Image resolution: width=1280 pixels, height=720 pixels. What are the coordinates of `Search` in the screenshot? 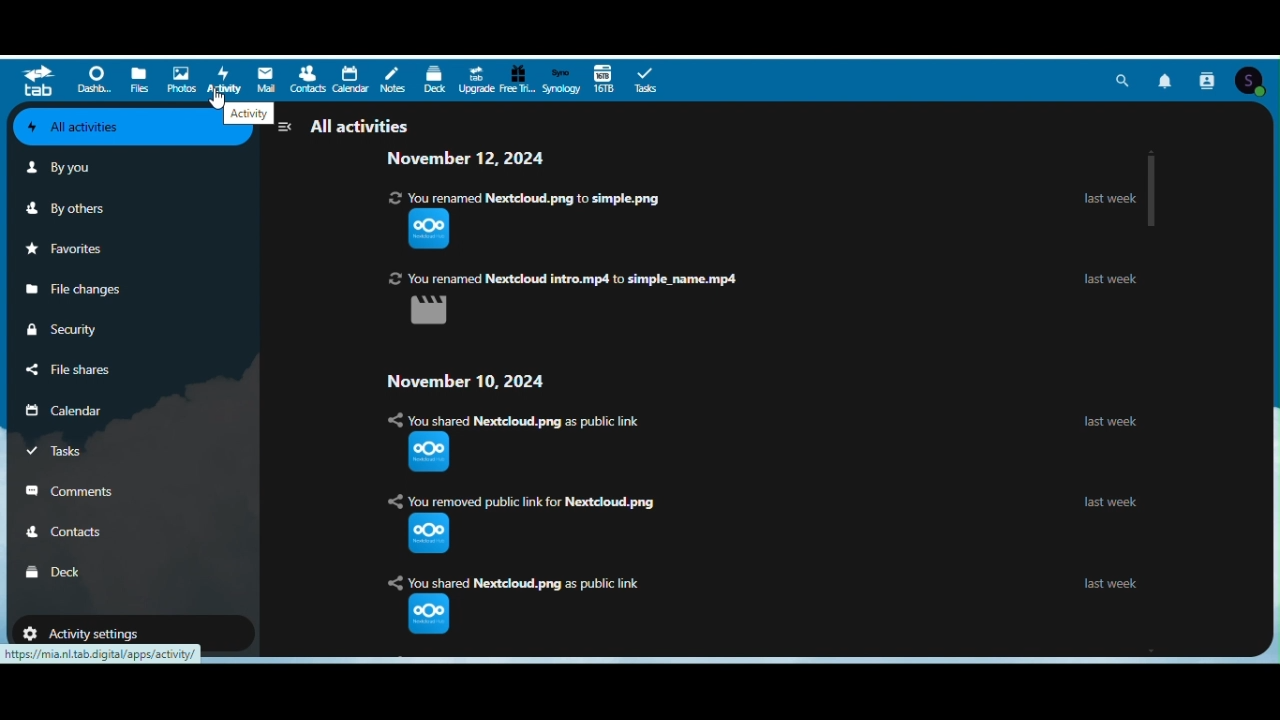 It's located at (1123, 80).